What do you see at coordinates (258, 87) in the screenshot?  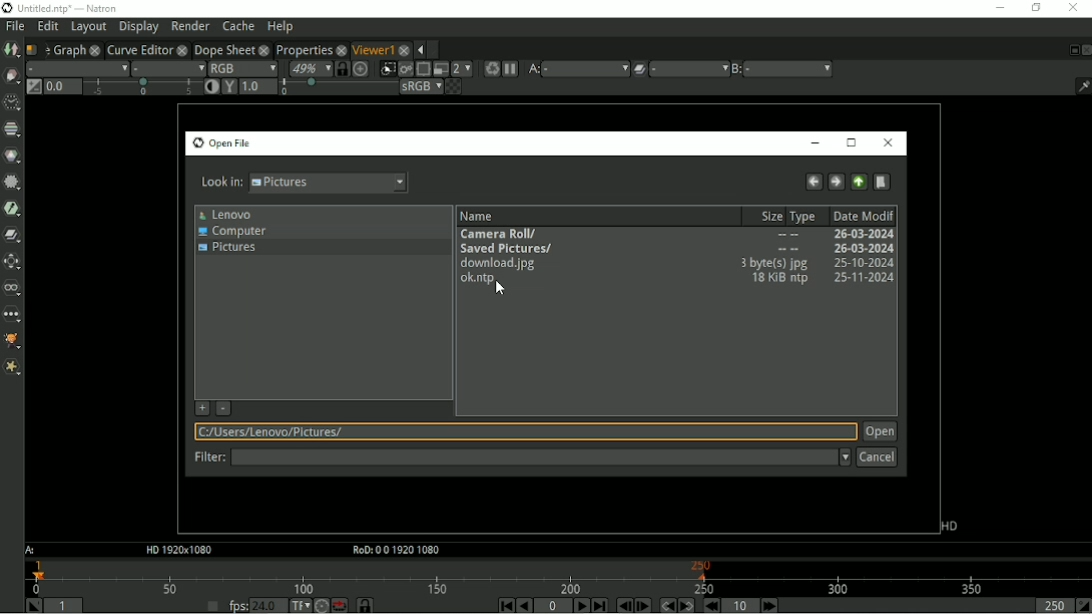 I see `1.0` at bounding box center [258, 87].